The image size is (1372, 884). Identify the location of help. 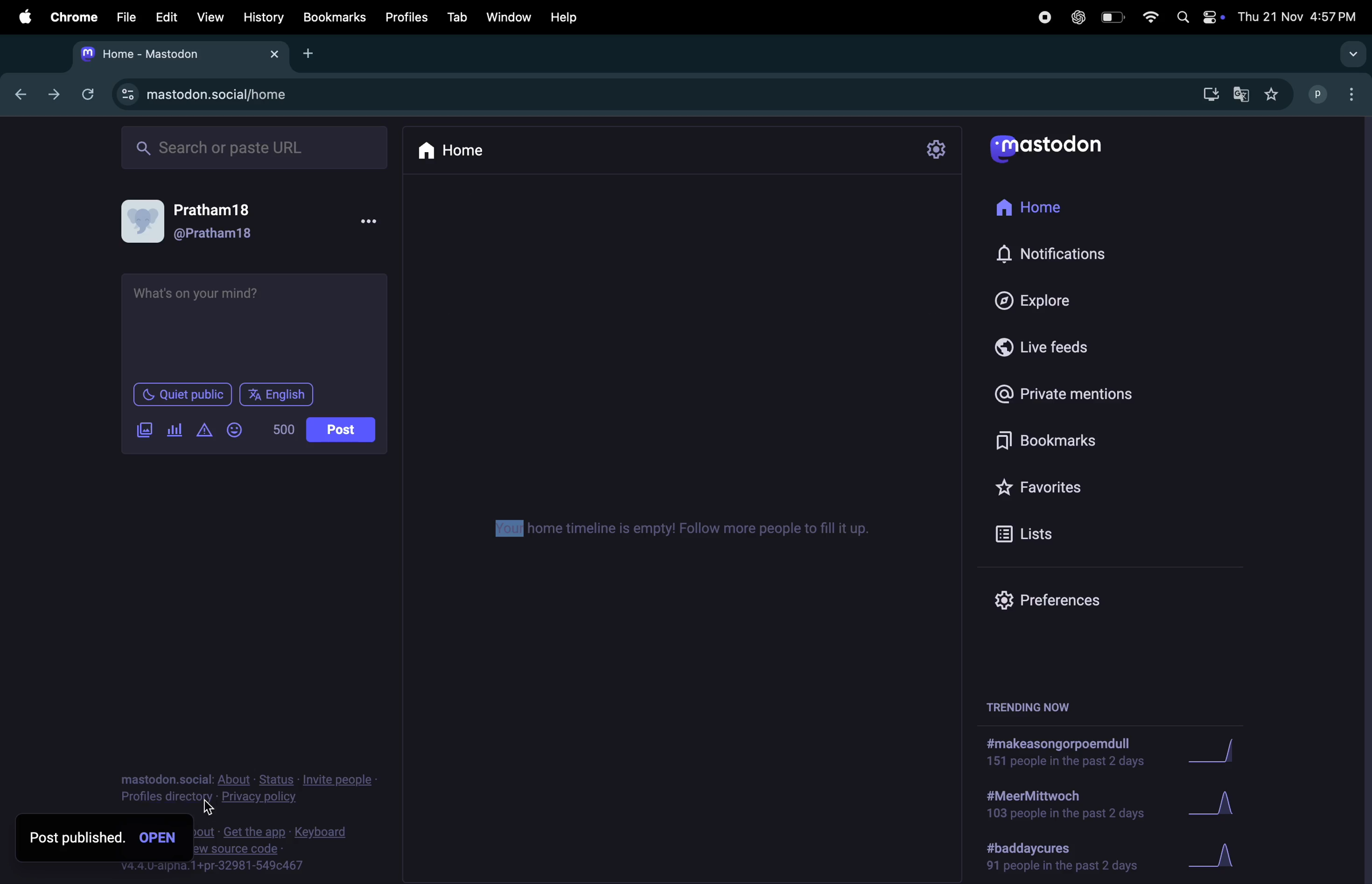
(565, 17).